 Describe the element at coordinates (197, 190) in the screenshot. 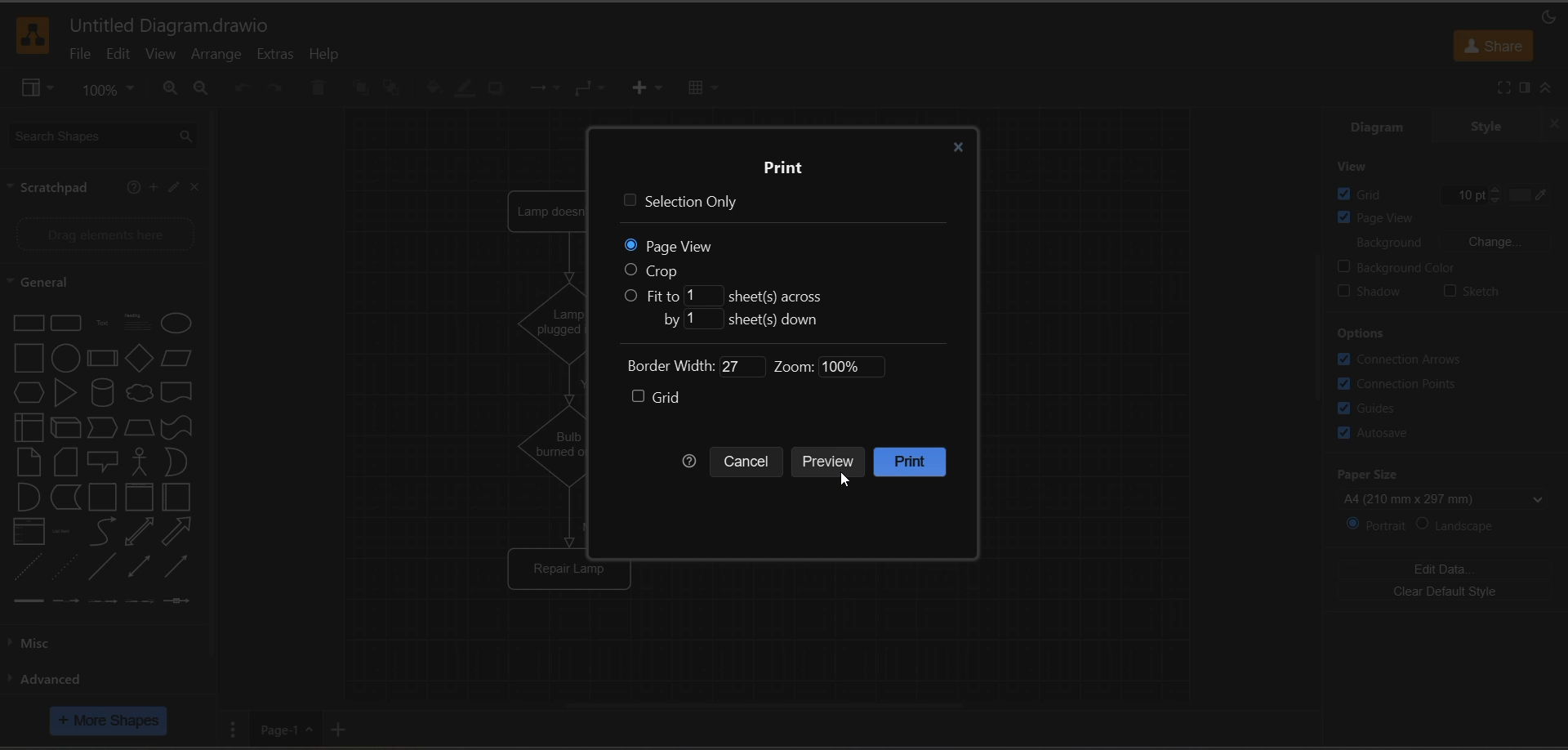

I see `close` at that location.